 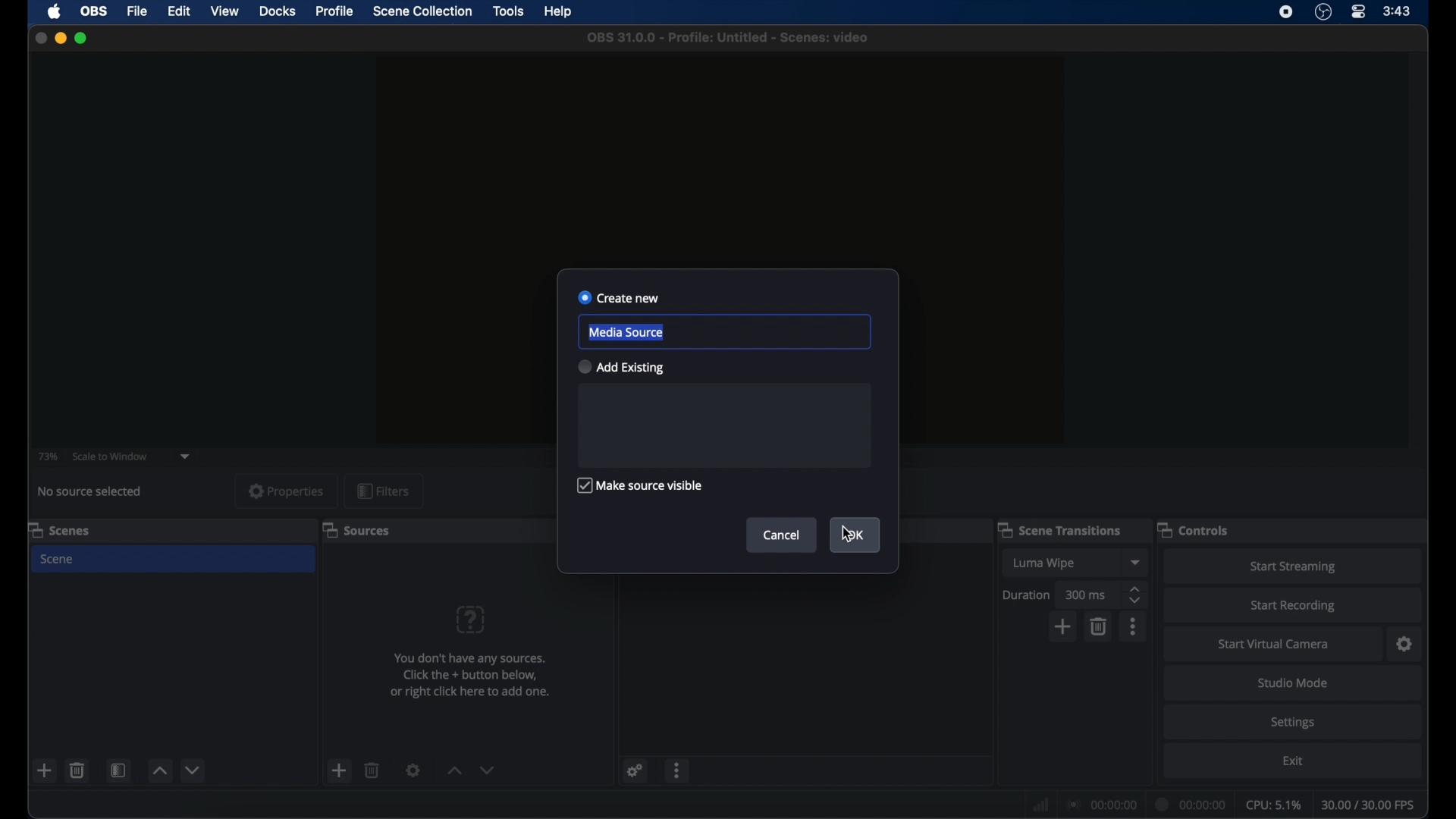 I want to click on media source, so click(x=626, y=332).